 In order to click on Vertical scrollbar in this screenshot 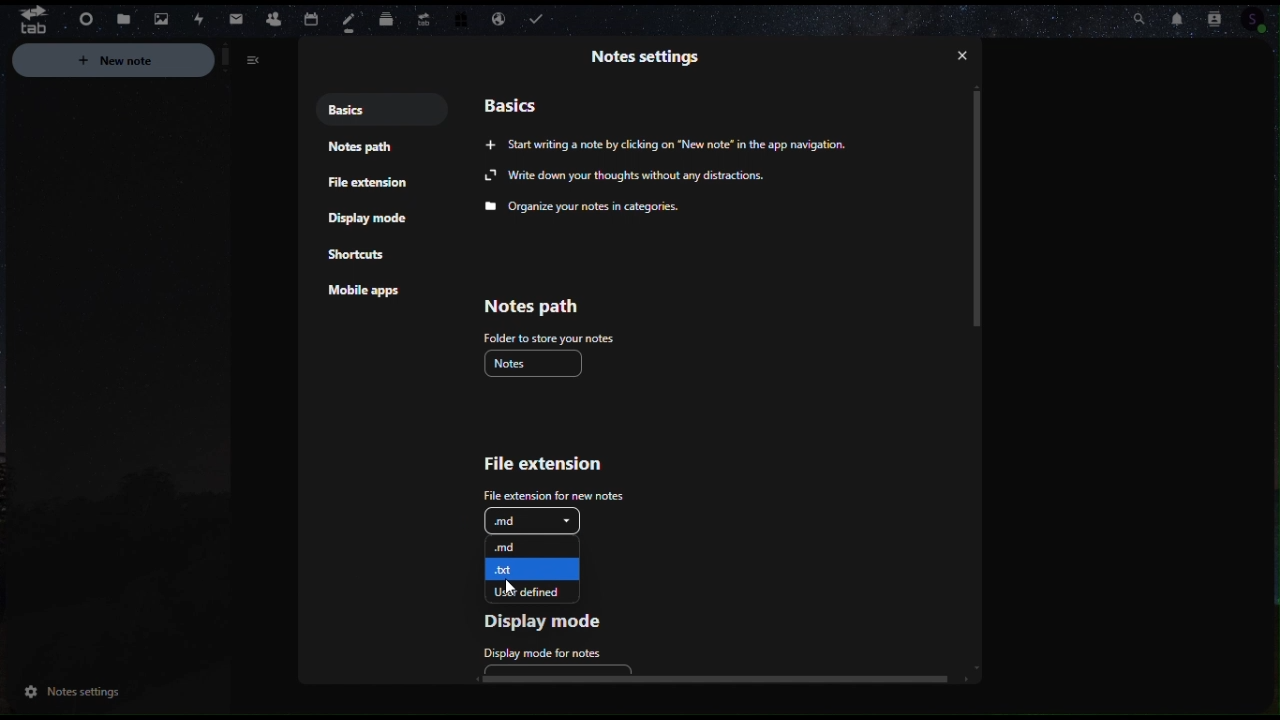, I will do `click(983, 209)`.